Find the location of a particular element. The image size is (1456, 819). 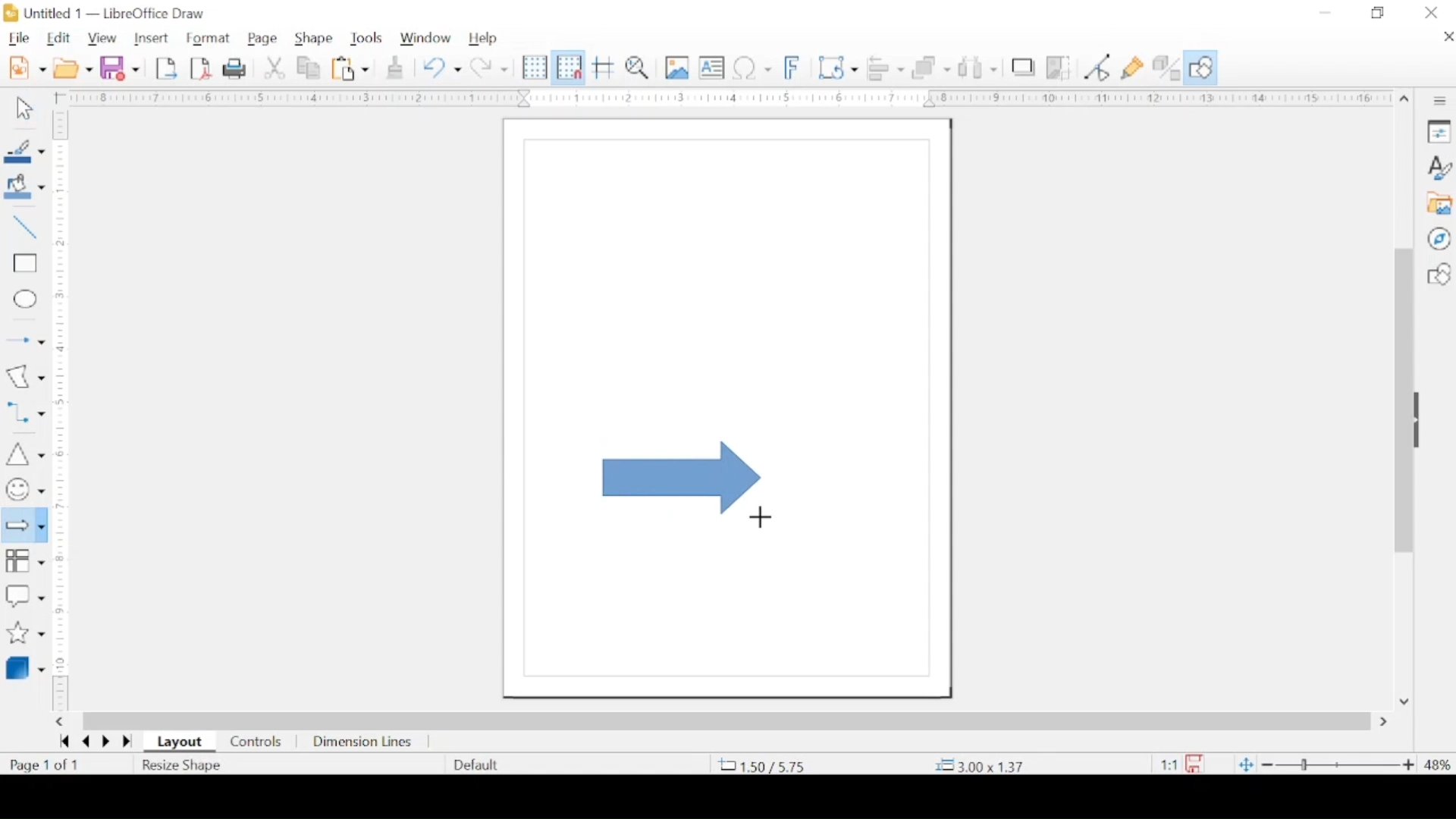

export directly as pdf is located at coordinates (200, 69).